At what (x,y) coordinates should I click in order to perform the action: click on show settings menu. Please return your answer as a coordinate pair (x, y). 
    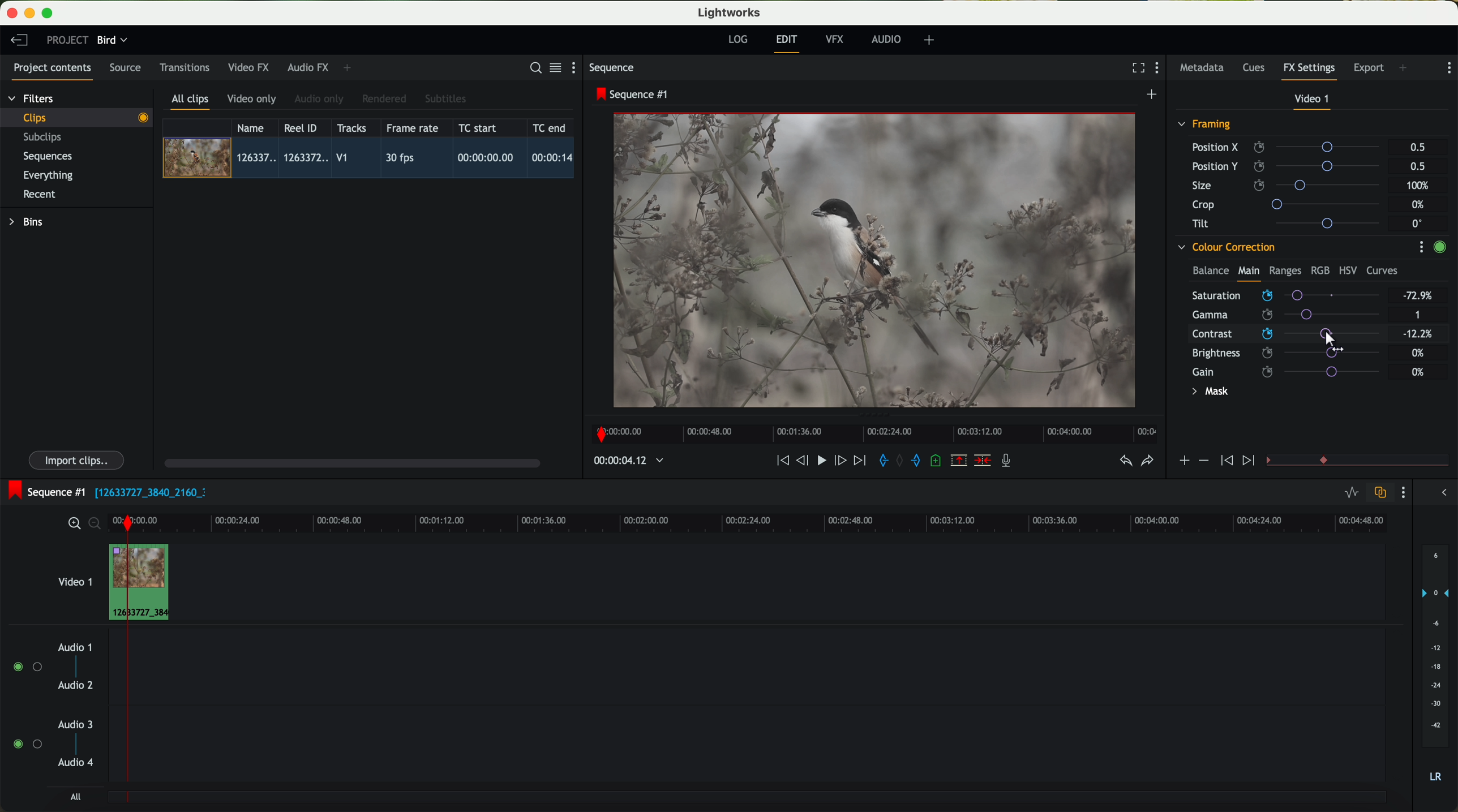
    Looking at the image, I should click on (1402, 492).